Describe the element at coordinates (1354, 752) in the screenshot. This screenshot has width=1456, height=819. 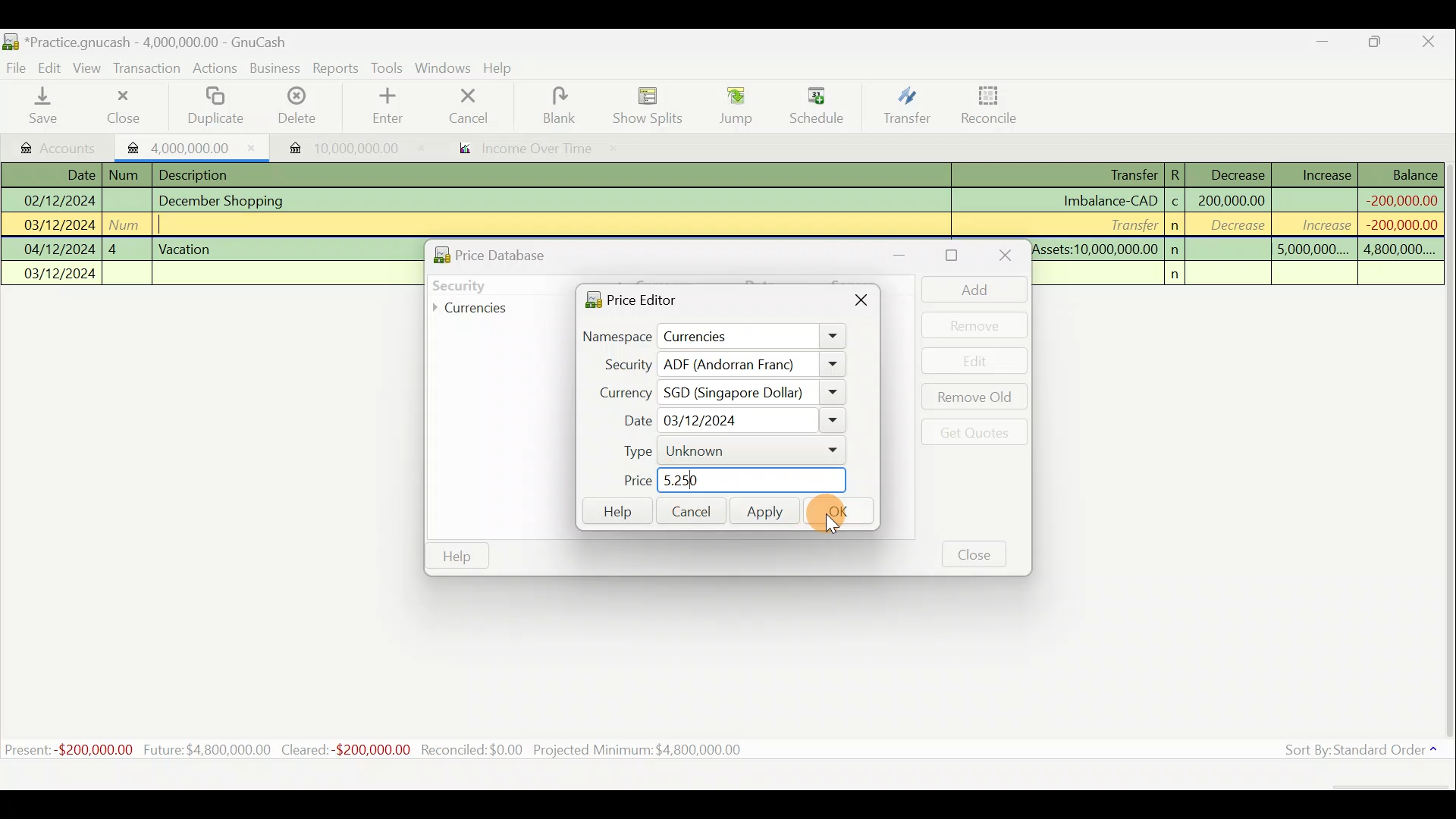
I see `Sort by` at that location.